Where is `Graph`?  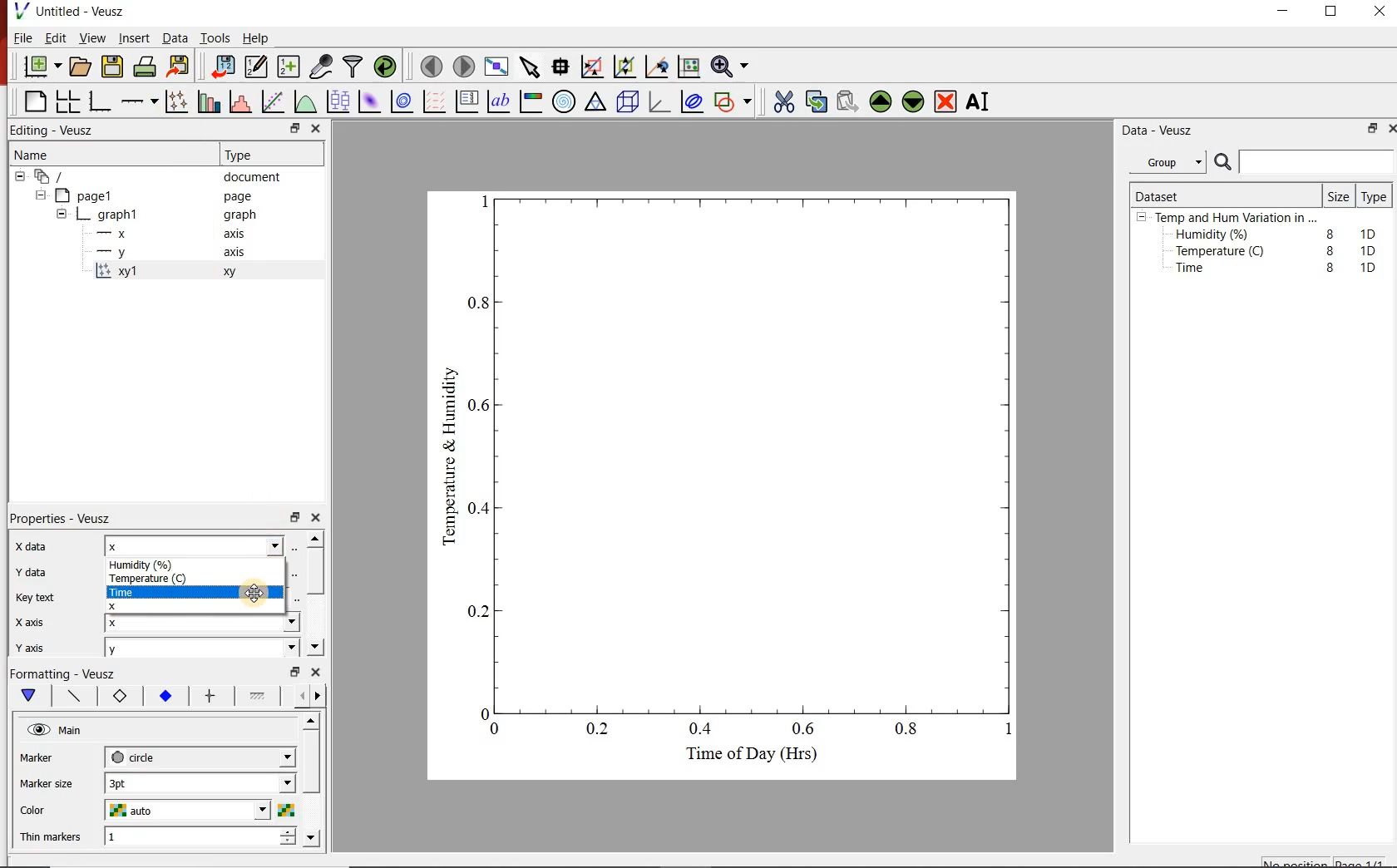 Graph is located at coordinates (758, 451).